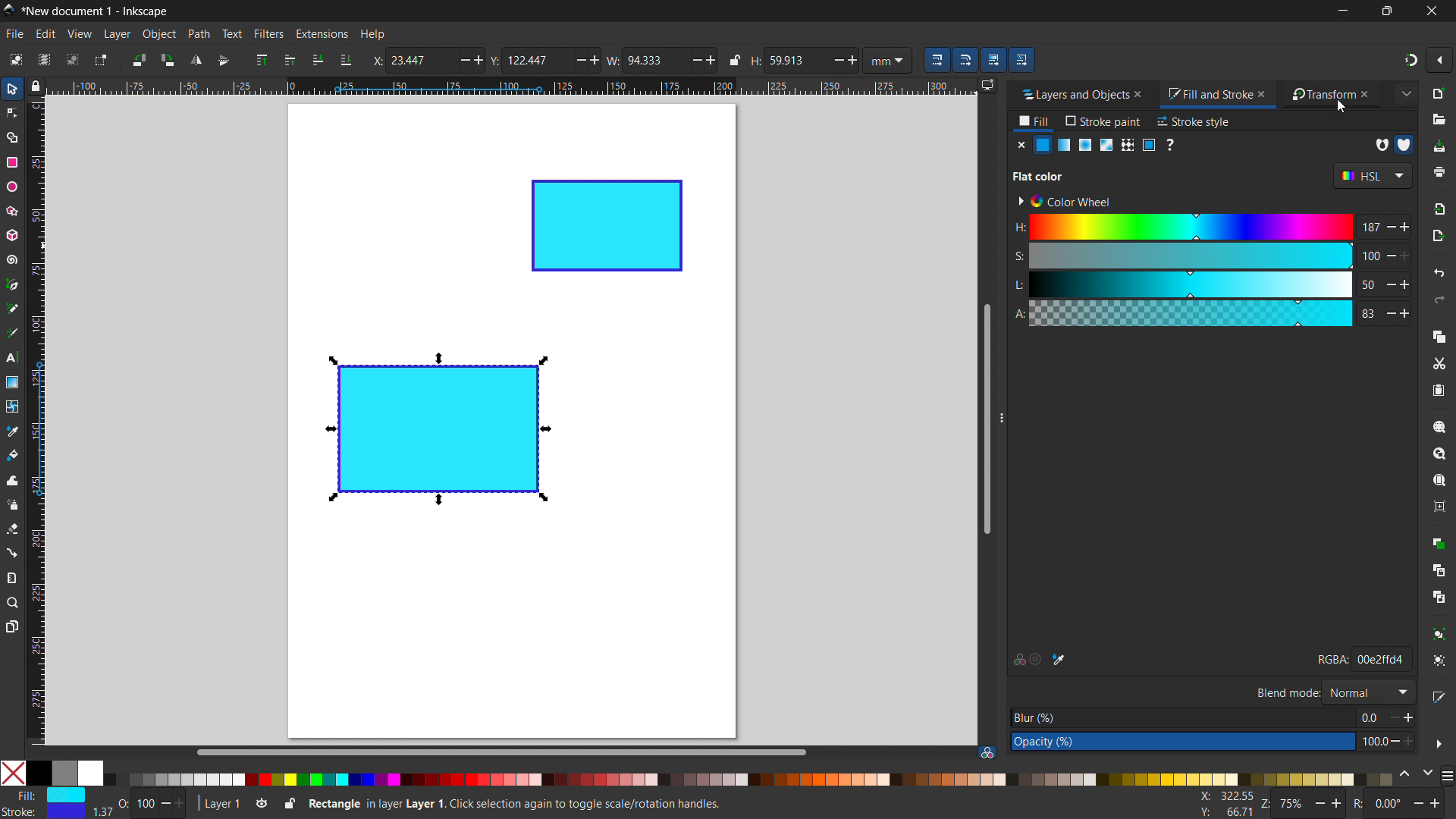  I want to click on more options, so click(1439, 744).